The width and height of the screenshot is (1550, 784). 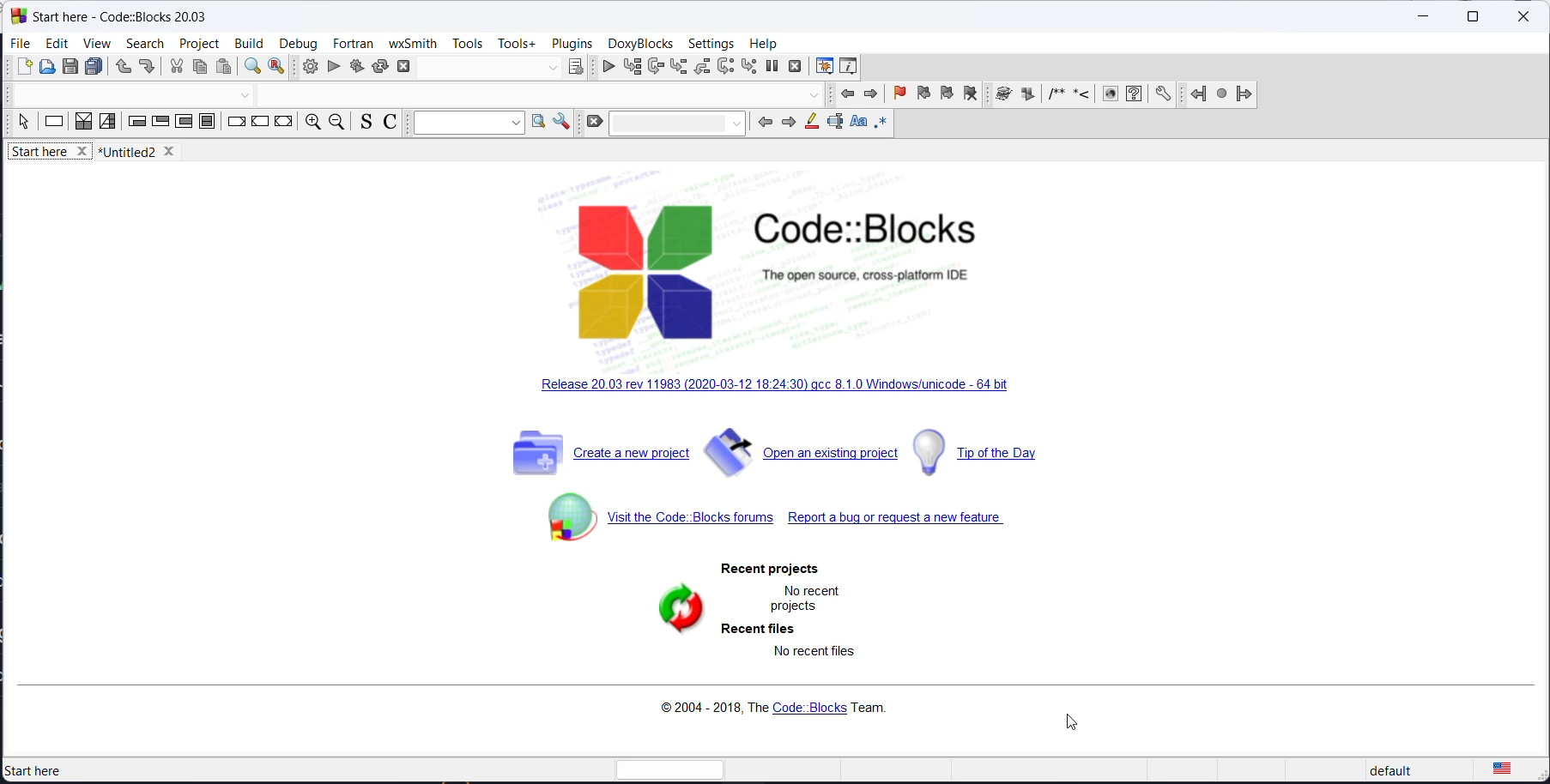 I want to click on view, so click(x=94, y=45).